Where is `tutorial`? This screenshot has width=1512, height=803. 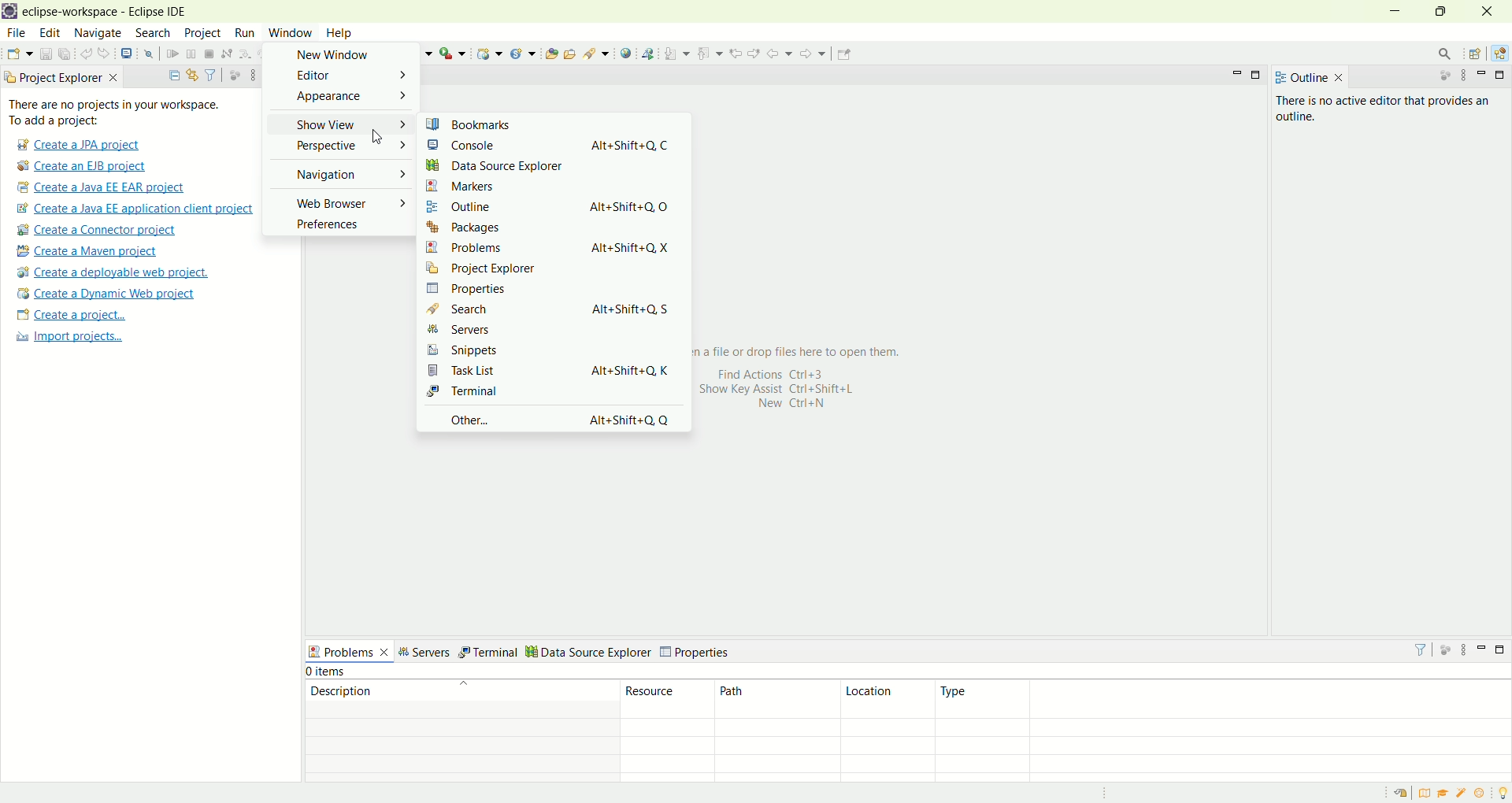 tutorial is located at coordinates (1442, 796).